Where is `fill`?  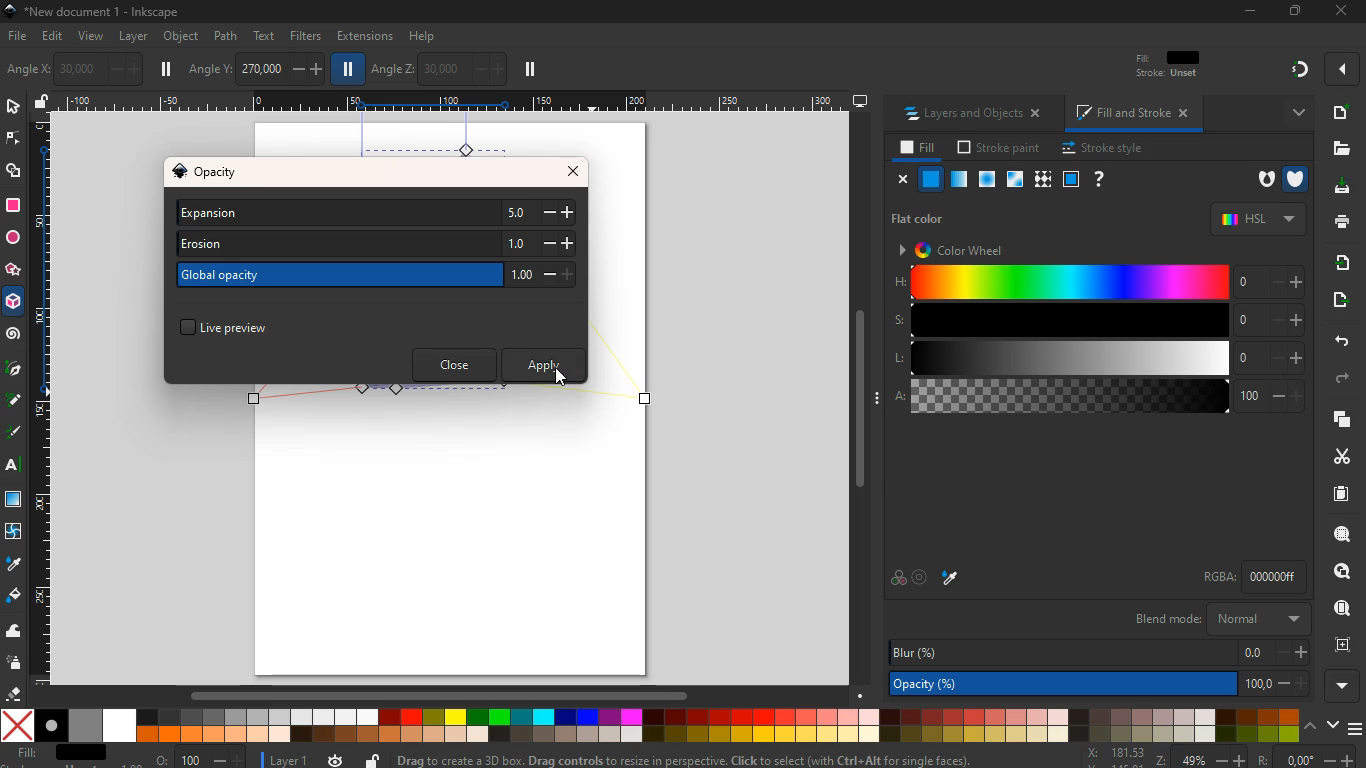 fill is located at coordinates (915, 148).